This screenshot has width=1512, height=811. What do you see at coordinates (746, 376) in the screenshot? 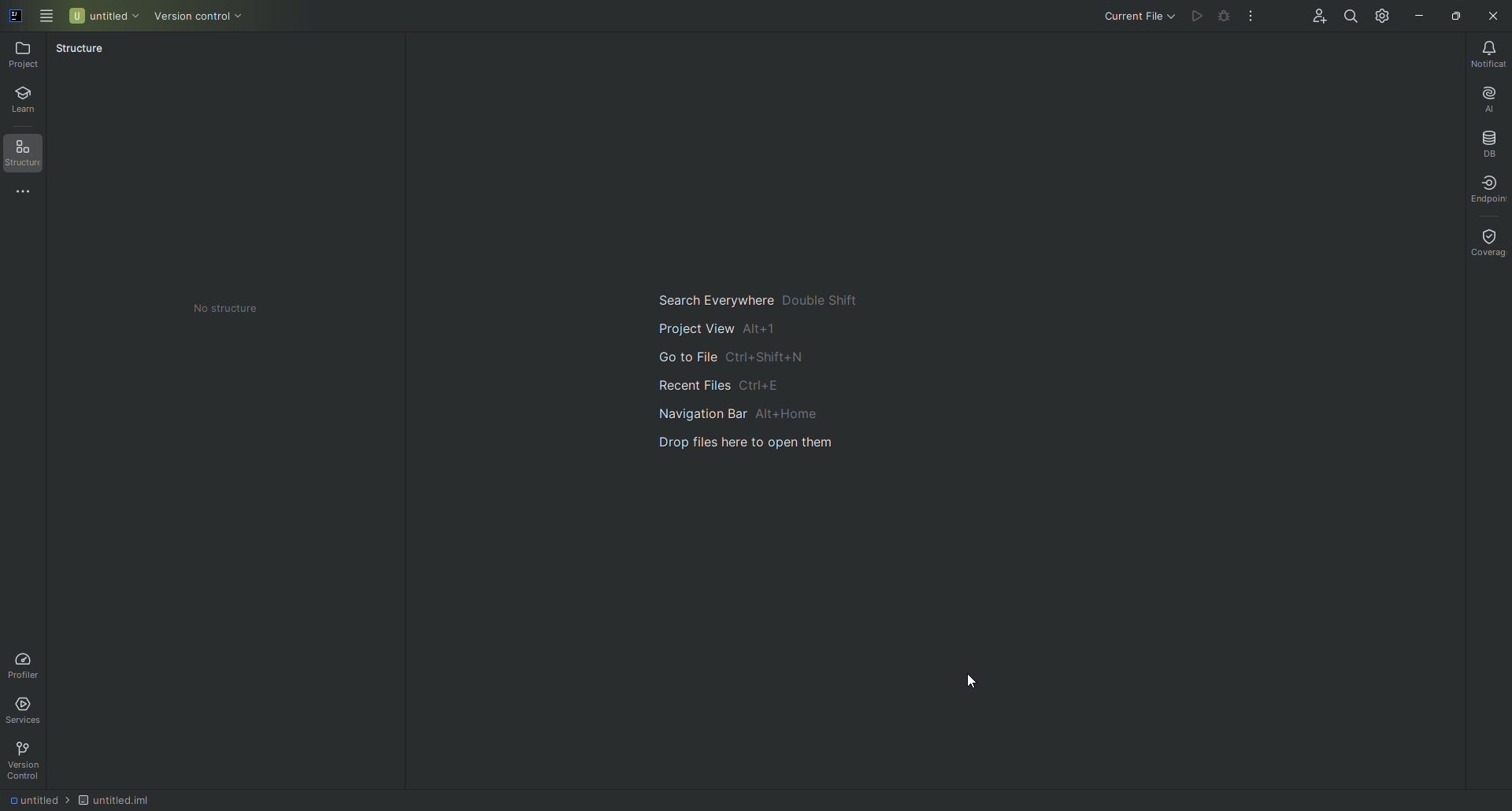
I see `Main guide to search and navigate files` at bounding box center [746, 376].